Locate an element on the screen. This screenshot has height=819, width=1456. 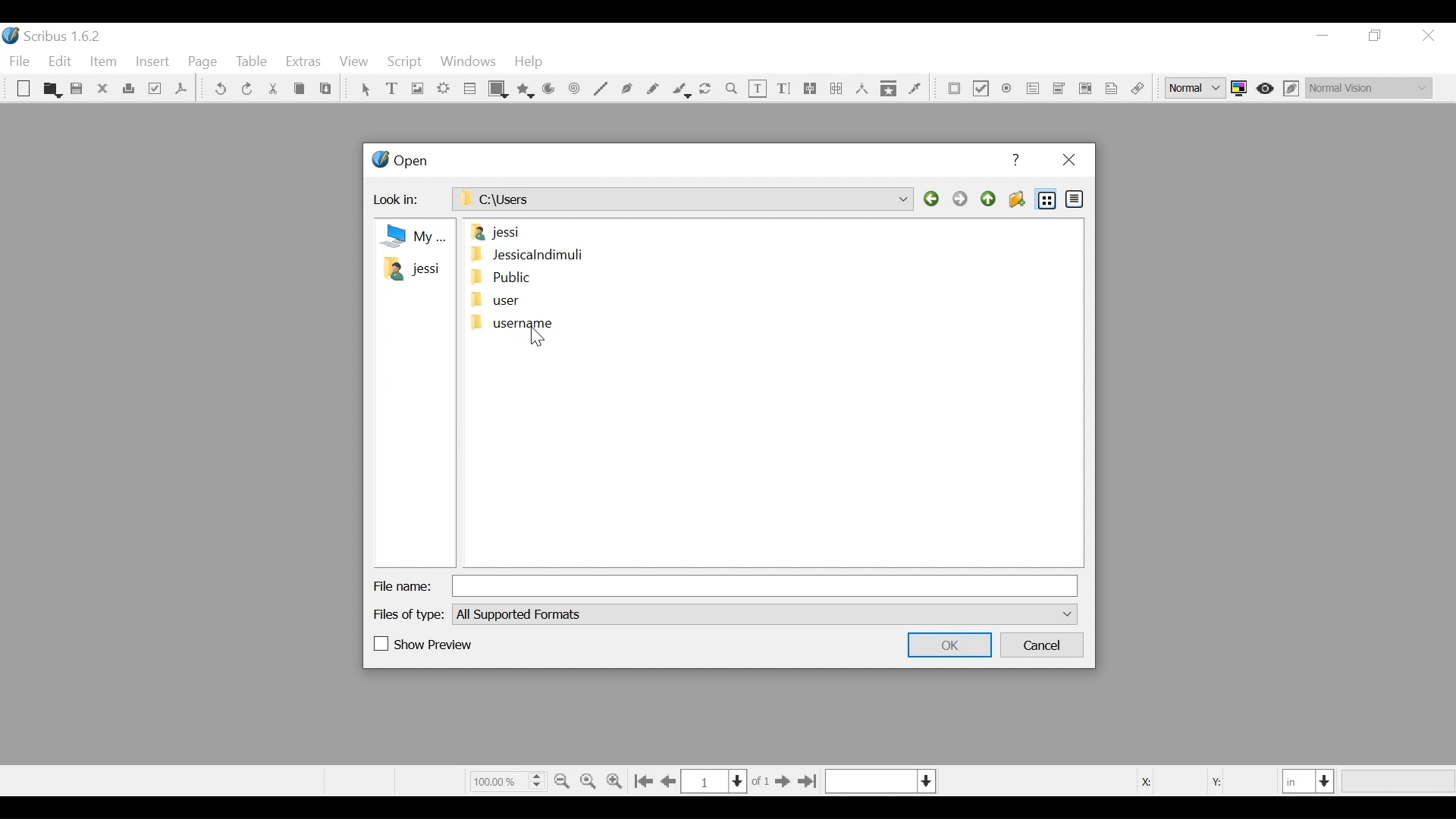
Close is located at coordinates (104, 89).